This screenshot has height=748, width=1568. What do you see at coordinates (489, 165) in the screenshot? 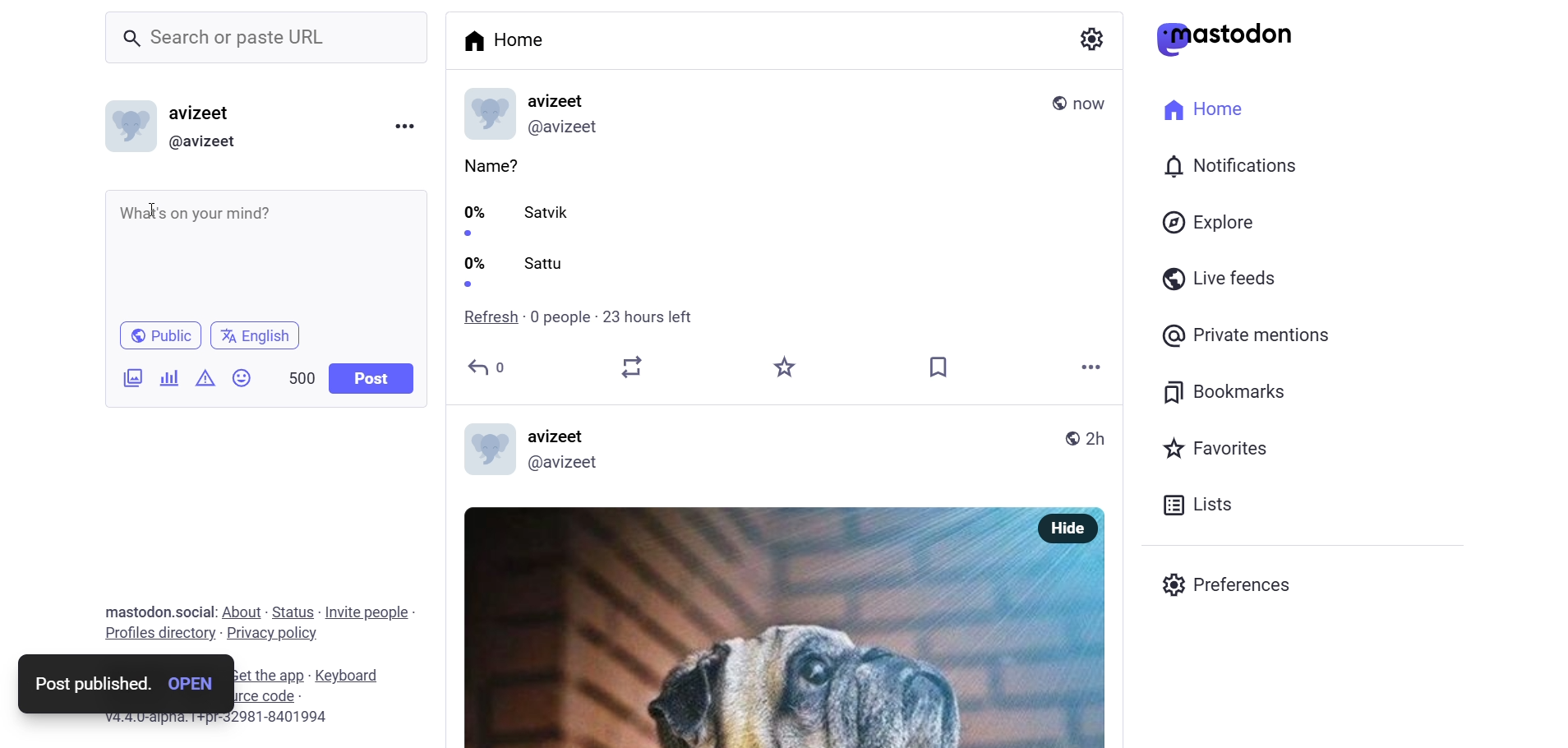
I see `question` at bounding box center [489, 165].